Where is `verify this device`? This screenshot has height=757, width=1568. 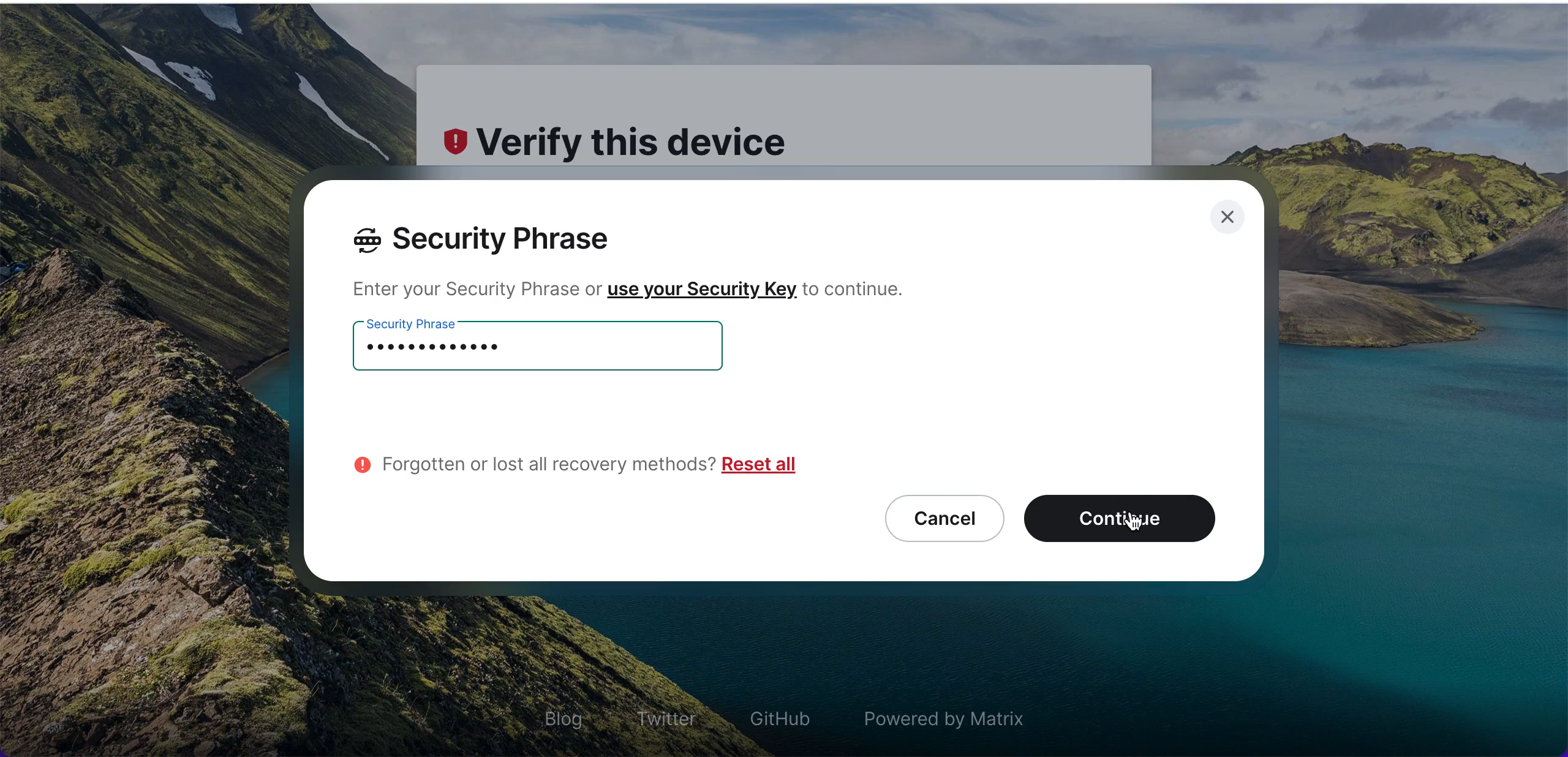
verify this device is located at coordinates (627, 141).